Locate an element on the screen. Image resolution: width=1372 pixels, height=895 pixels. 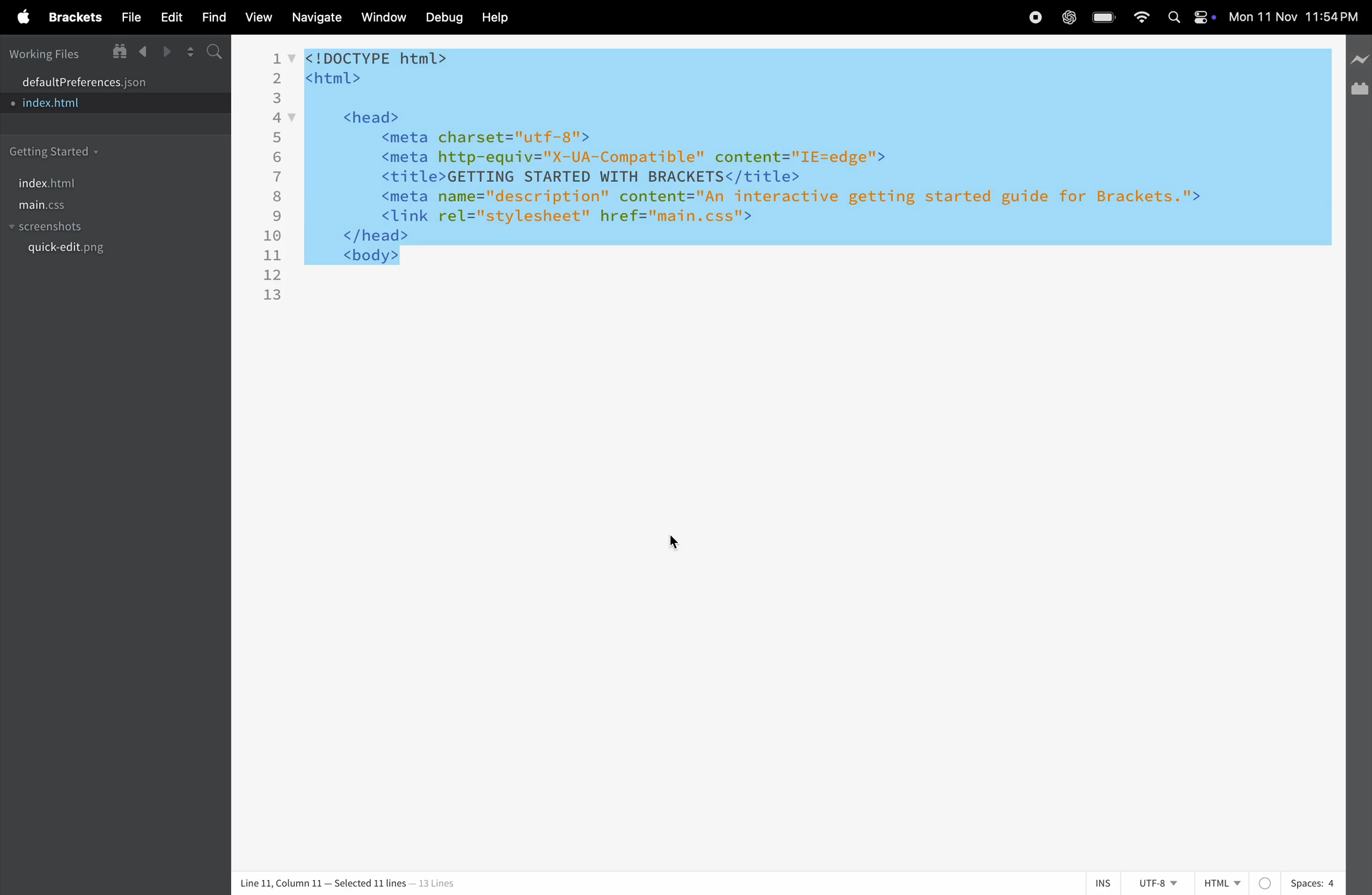
chatgpt is located at coordinates (1069, 17).